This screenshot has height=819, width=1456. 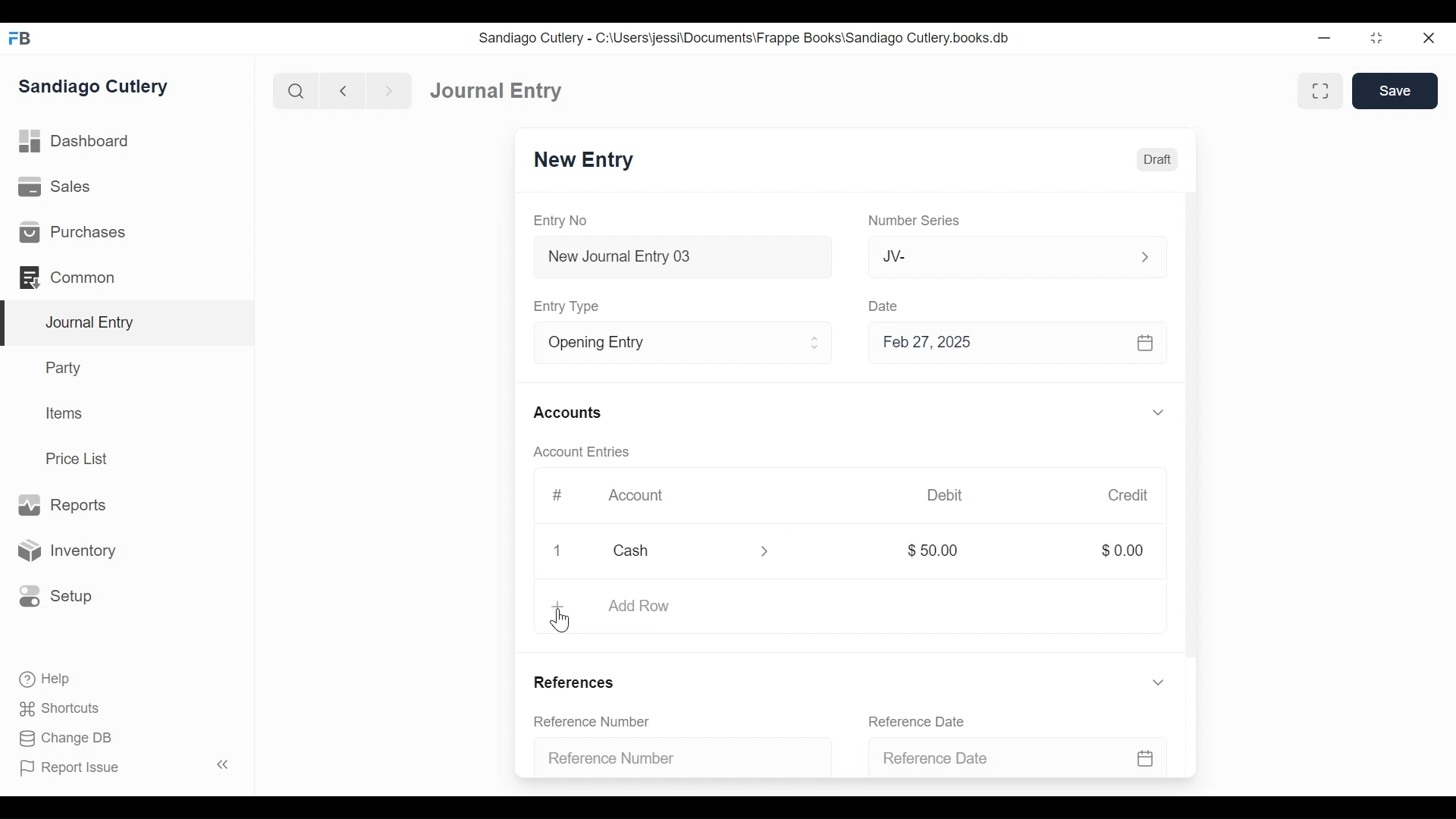 What do you see at coordinates (1397, 91) in the screenshot?
I see `Save` at bounding box center [1397, 91].